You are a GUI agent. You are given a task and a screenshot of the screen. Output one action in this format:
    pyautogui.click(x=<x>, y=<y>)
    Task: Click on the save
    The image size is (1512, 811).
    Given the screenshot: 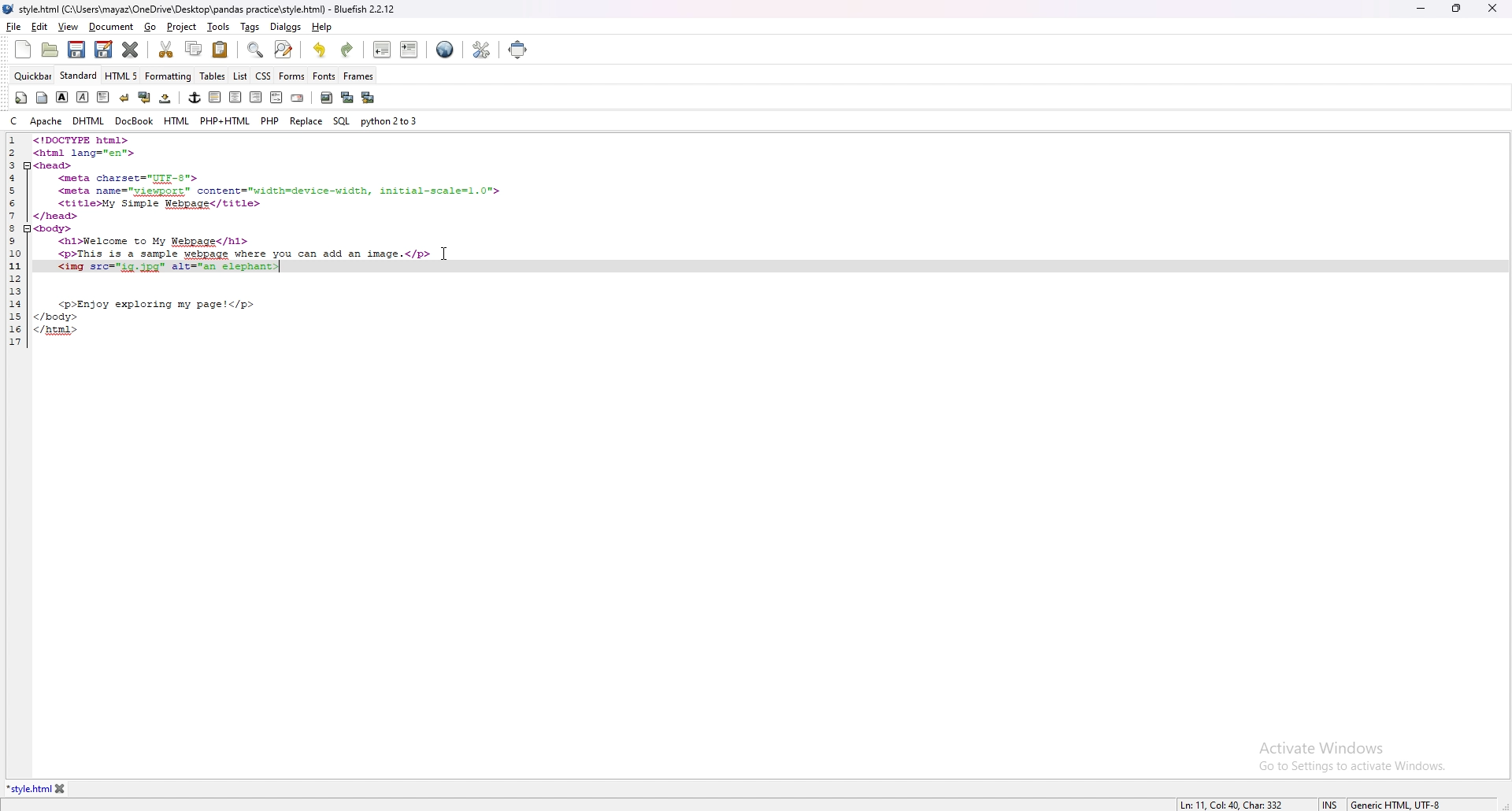 What is the action you would take?
    pyautogui.click(x=77, y=50)
    